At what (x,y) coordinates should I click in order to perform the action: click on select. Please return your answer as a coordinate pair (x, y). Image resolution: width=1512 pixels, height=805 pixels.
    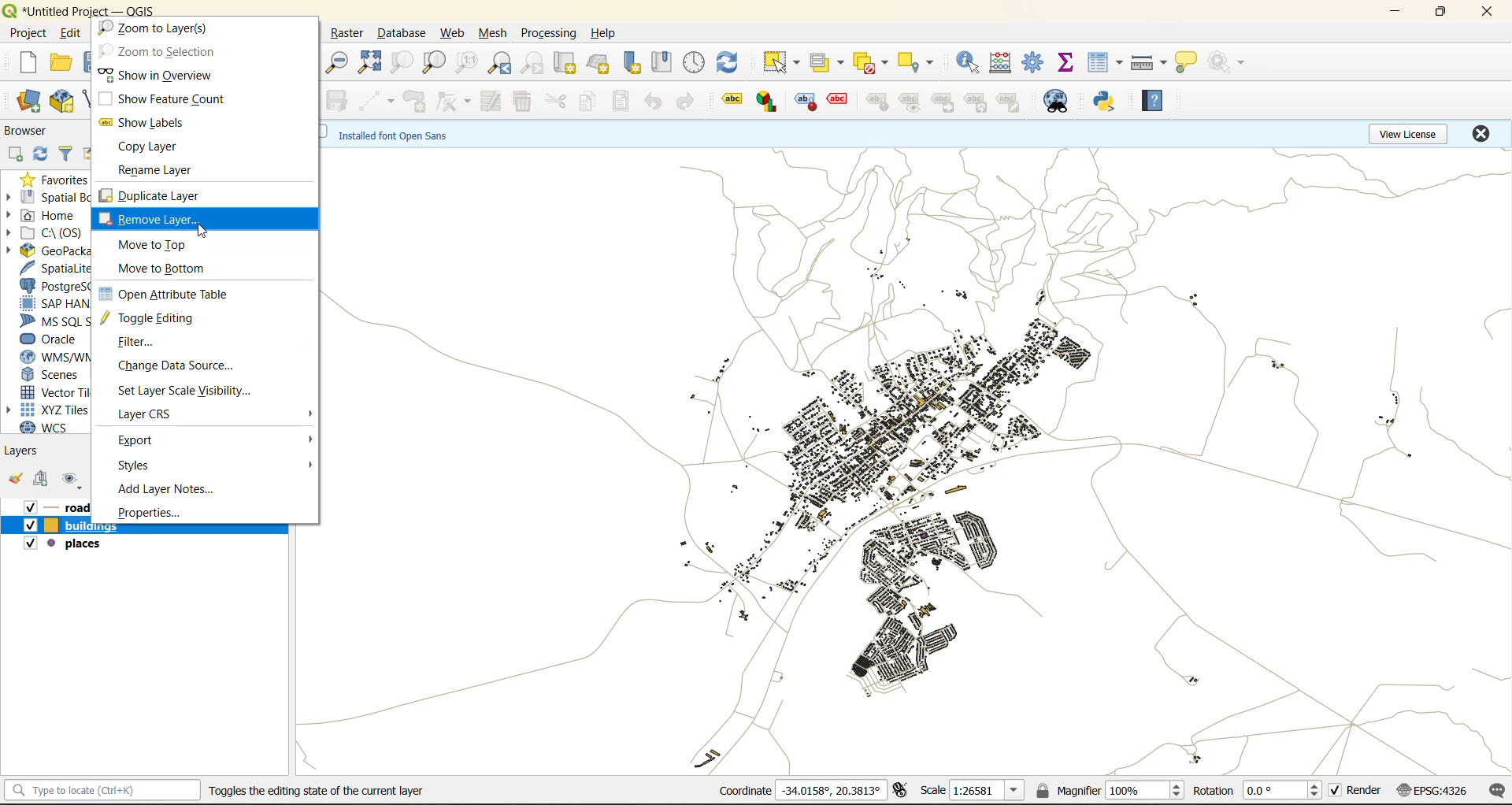
    Looking at the image, I should click on (783, 63).